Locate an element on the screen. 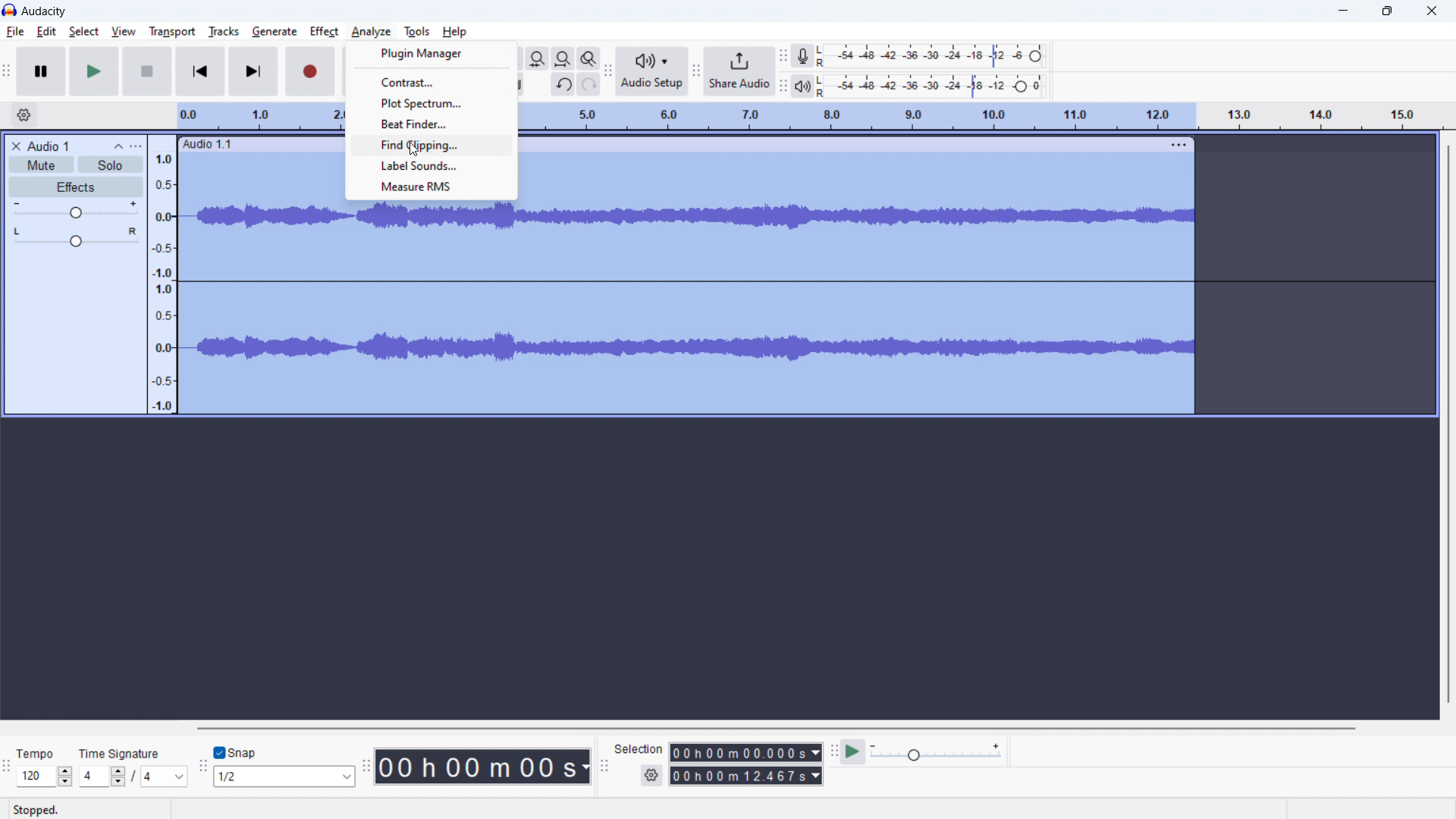  select snapping is located at coordinates (286, 776).